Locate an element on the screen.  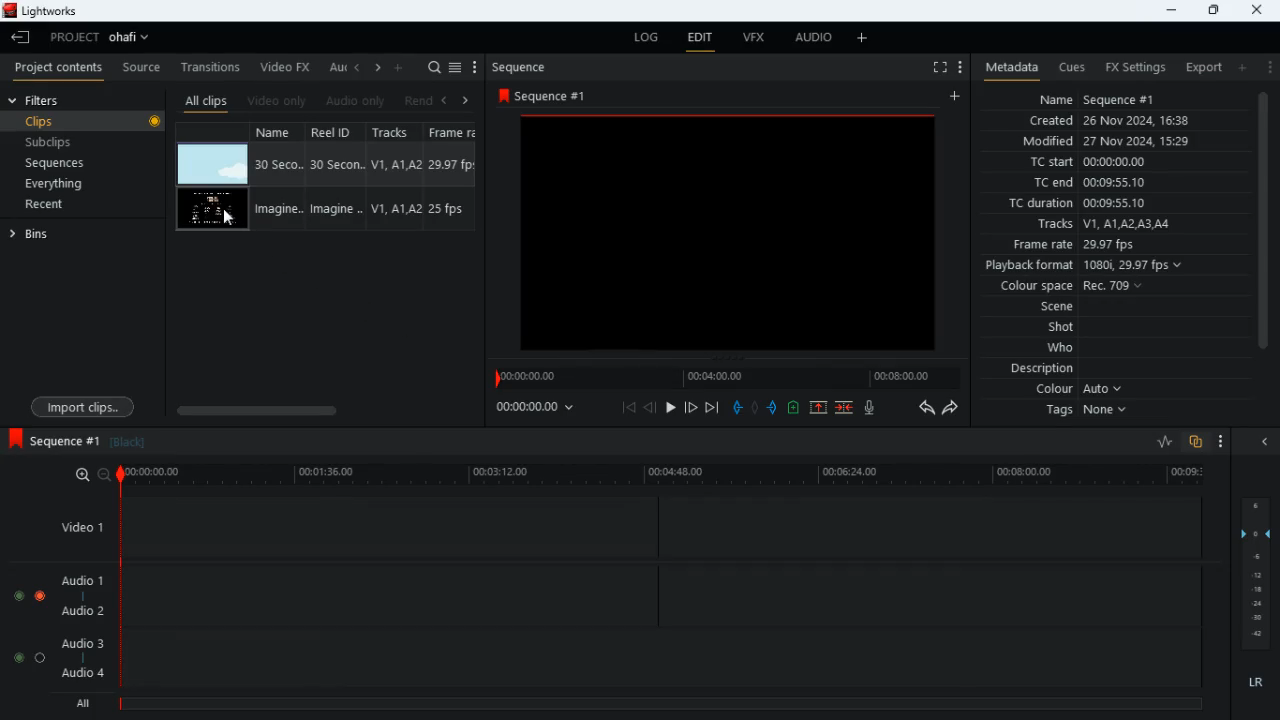
toggle is located at coordinates (41, 657).